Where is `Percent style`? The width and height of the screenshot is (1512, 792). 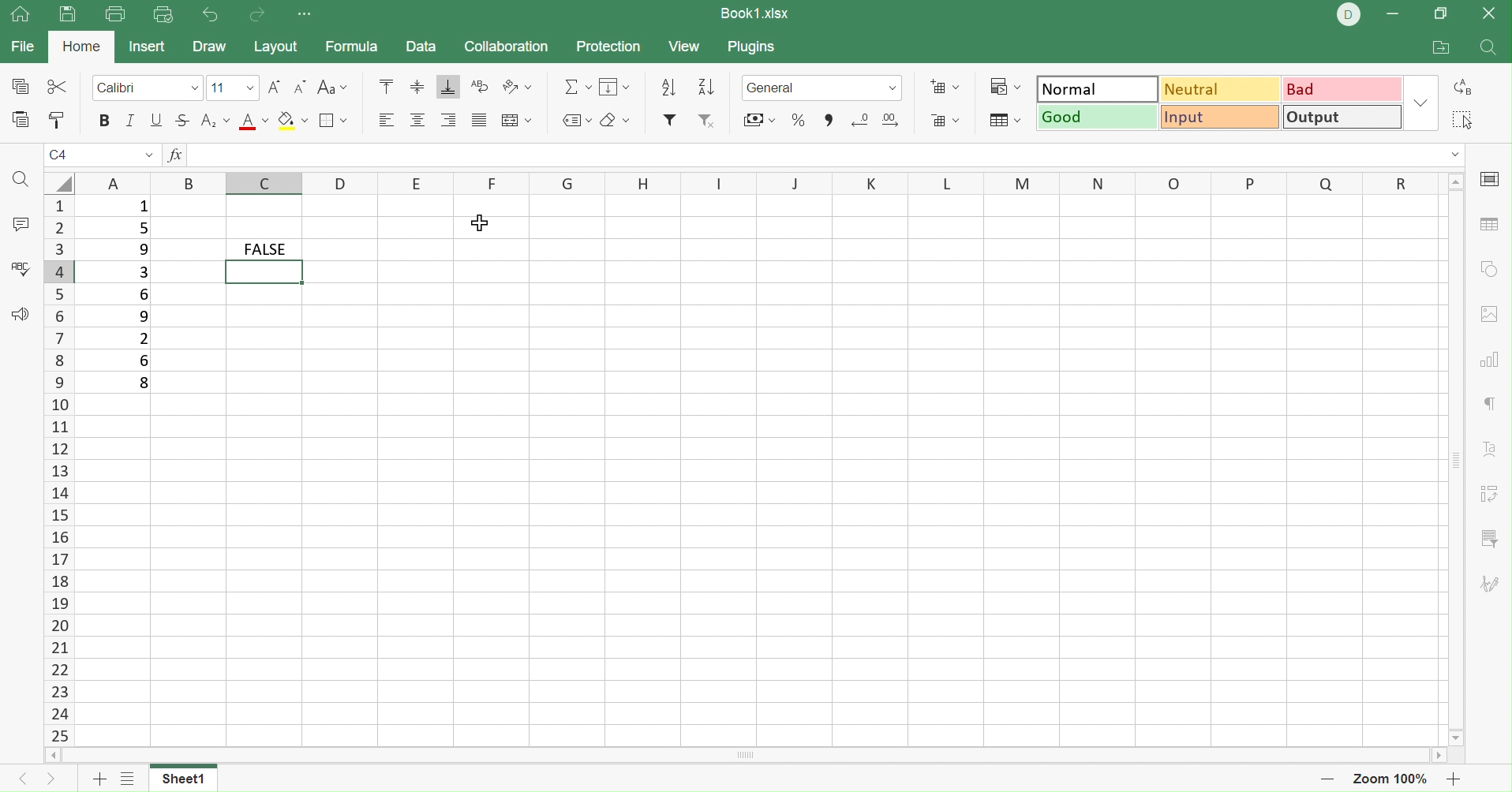
Percent style is located at coordinates (800, 121).